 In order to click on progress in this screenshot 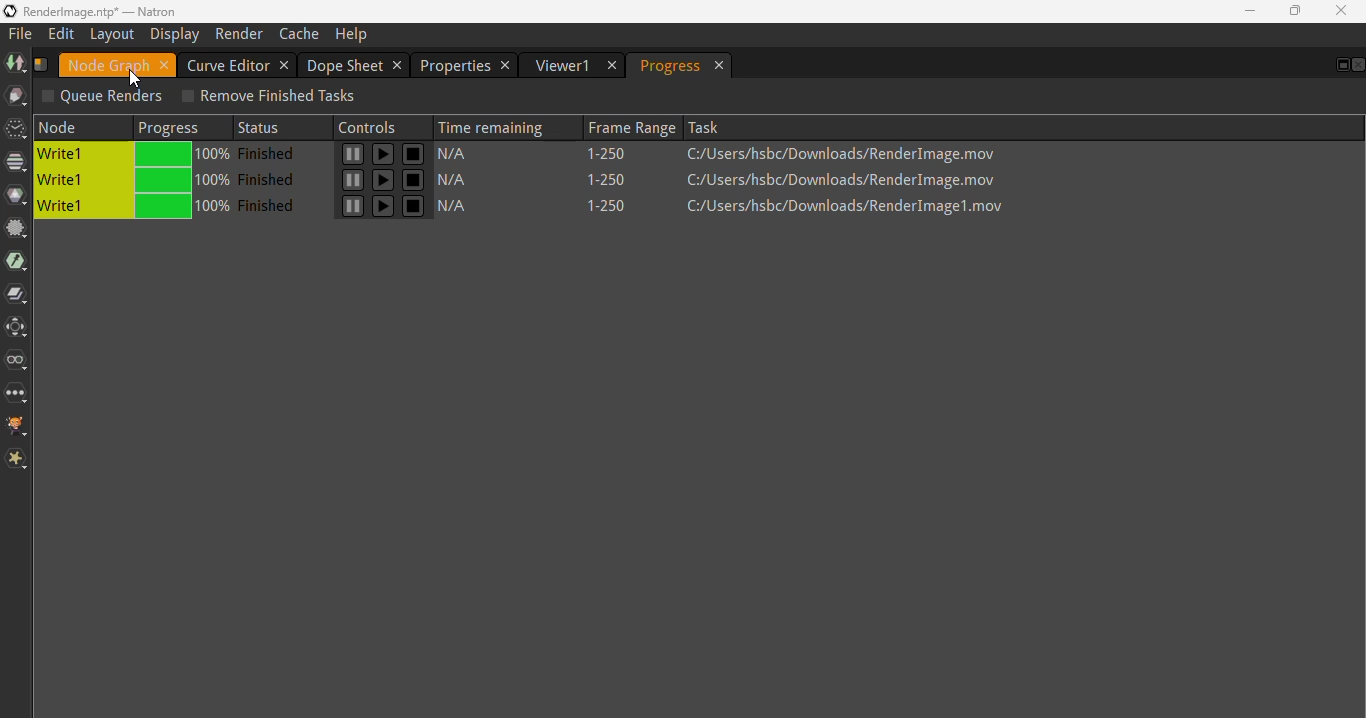, I will do `click(172, 126)`.